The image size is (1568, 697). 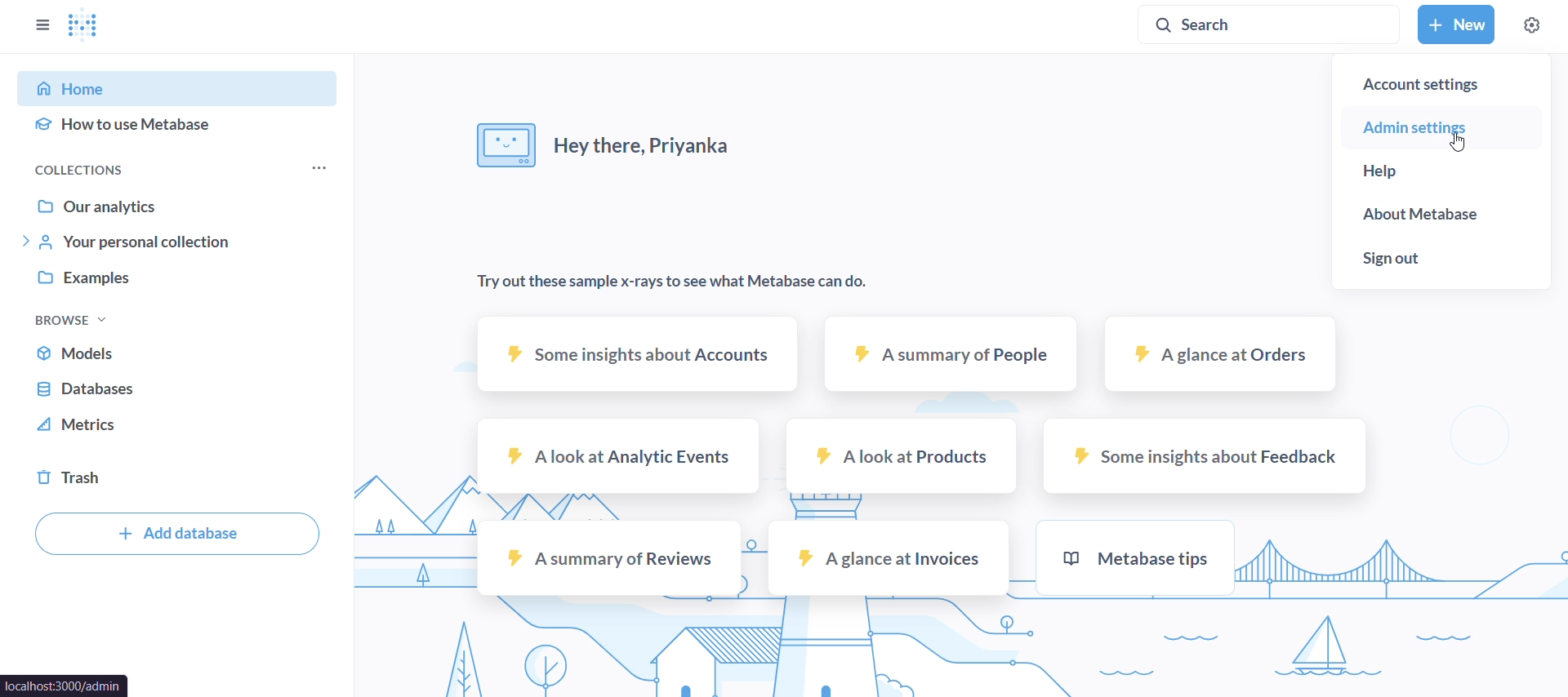 What do you see at coordinates (1205, 455) in the screenshot?
I see `some insights about feeback` at bounding box center [1205, 455].